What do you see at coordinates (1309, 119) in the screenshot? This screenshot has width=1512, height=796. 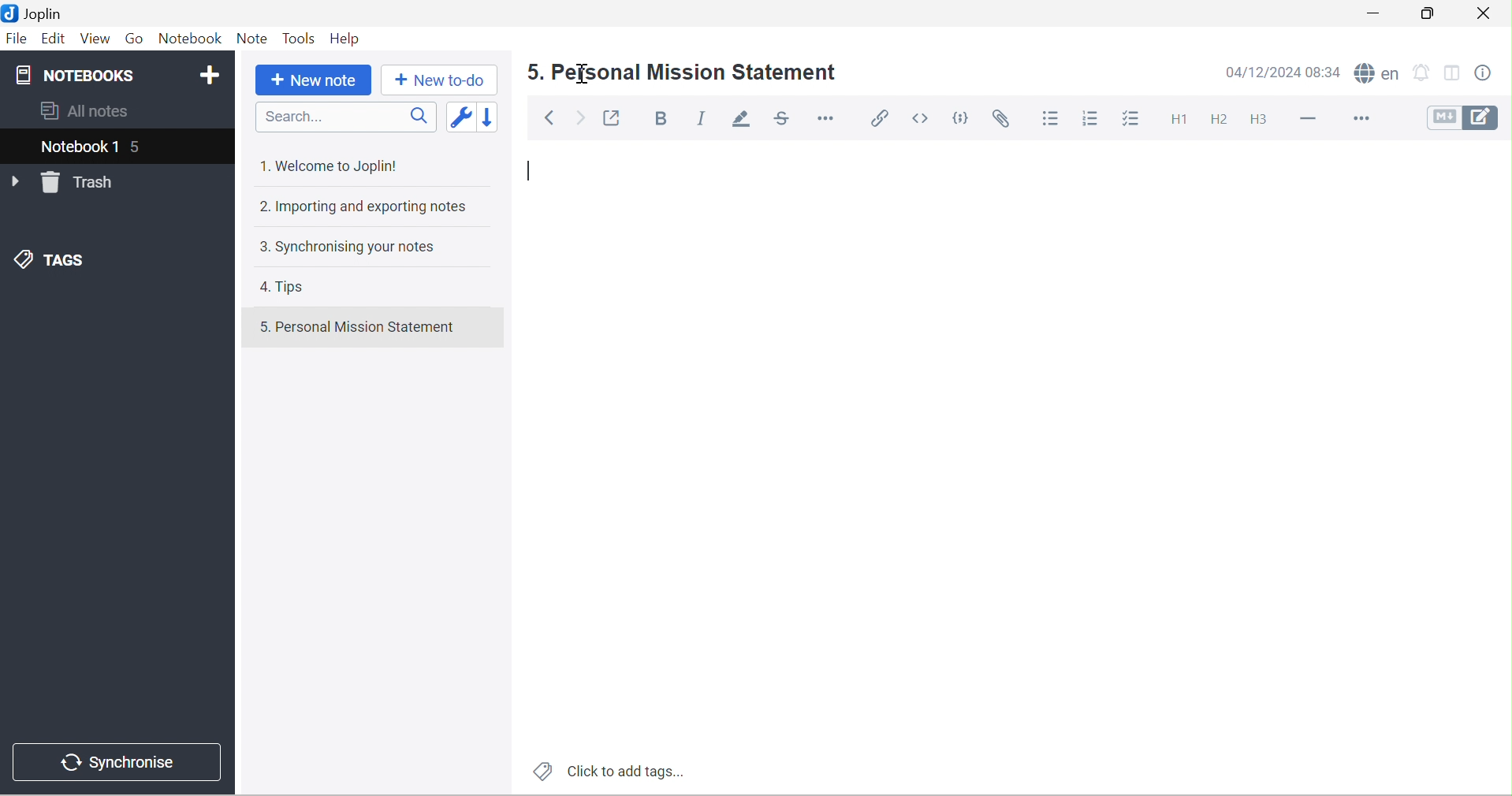 I see `Horizontal lines` at bounding box center [1309, 119].